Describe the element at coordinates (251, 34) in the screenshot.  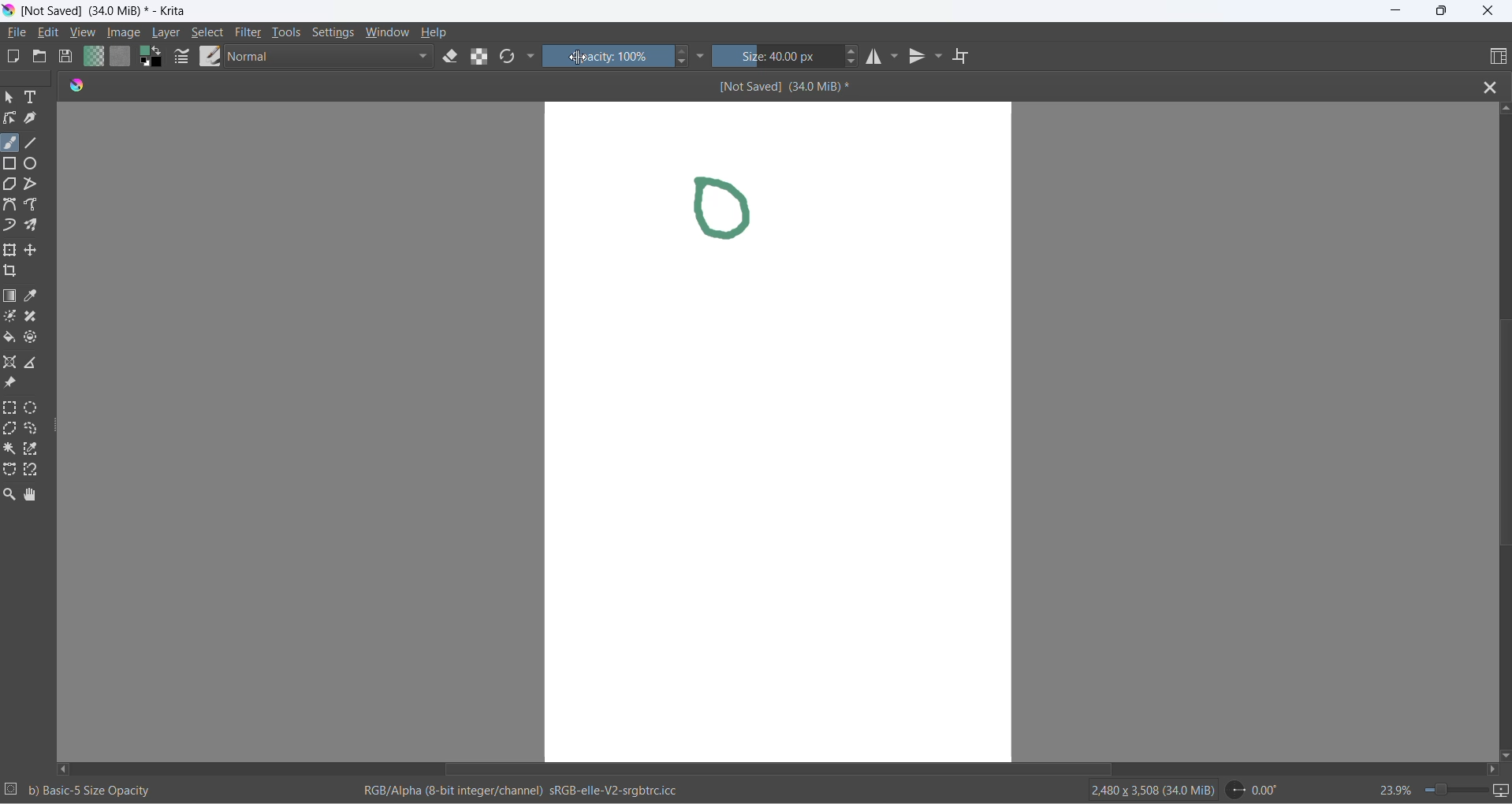
I see `filters` at that location.